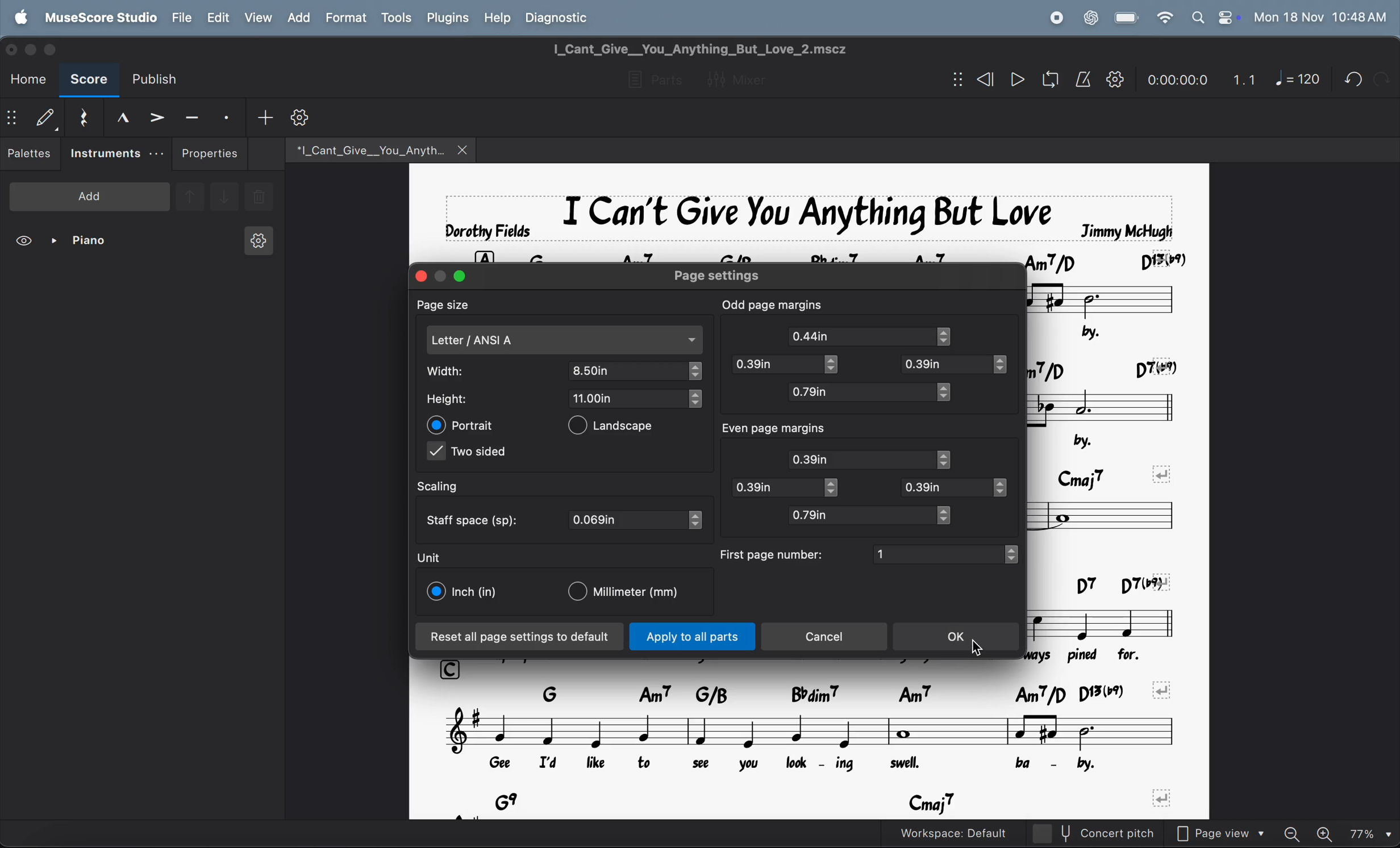 This screenshot has width=1400, height=848. I want to click on maximize, so click(56, 49).